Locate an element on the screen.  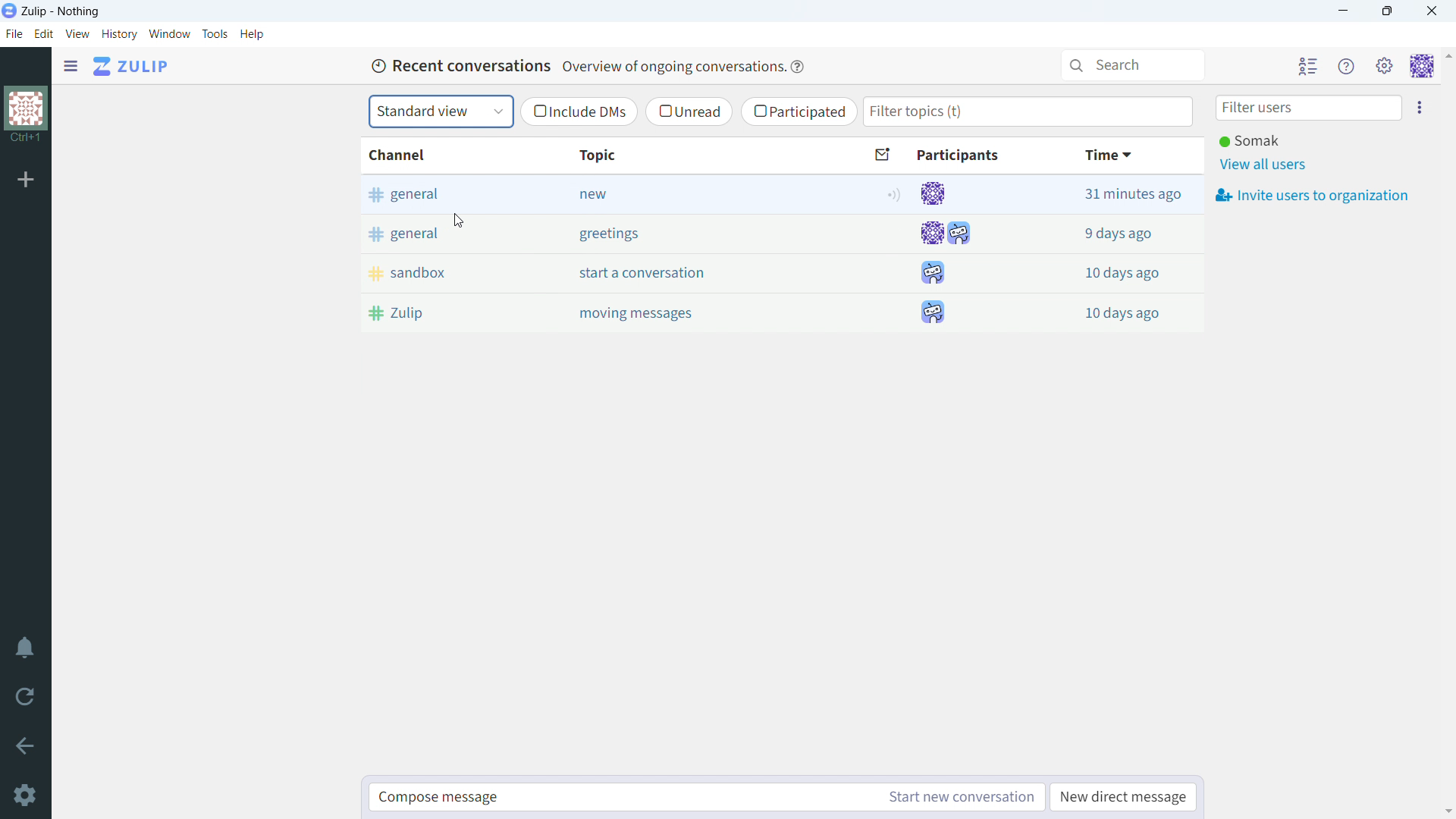
new direct message is located at coordinates (1122, 797).